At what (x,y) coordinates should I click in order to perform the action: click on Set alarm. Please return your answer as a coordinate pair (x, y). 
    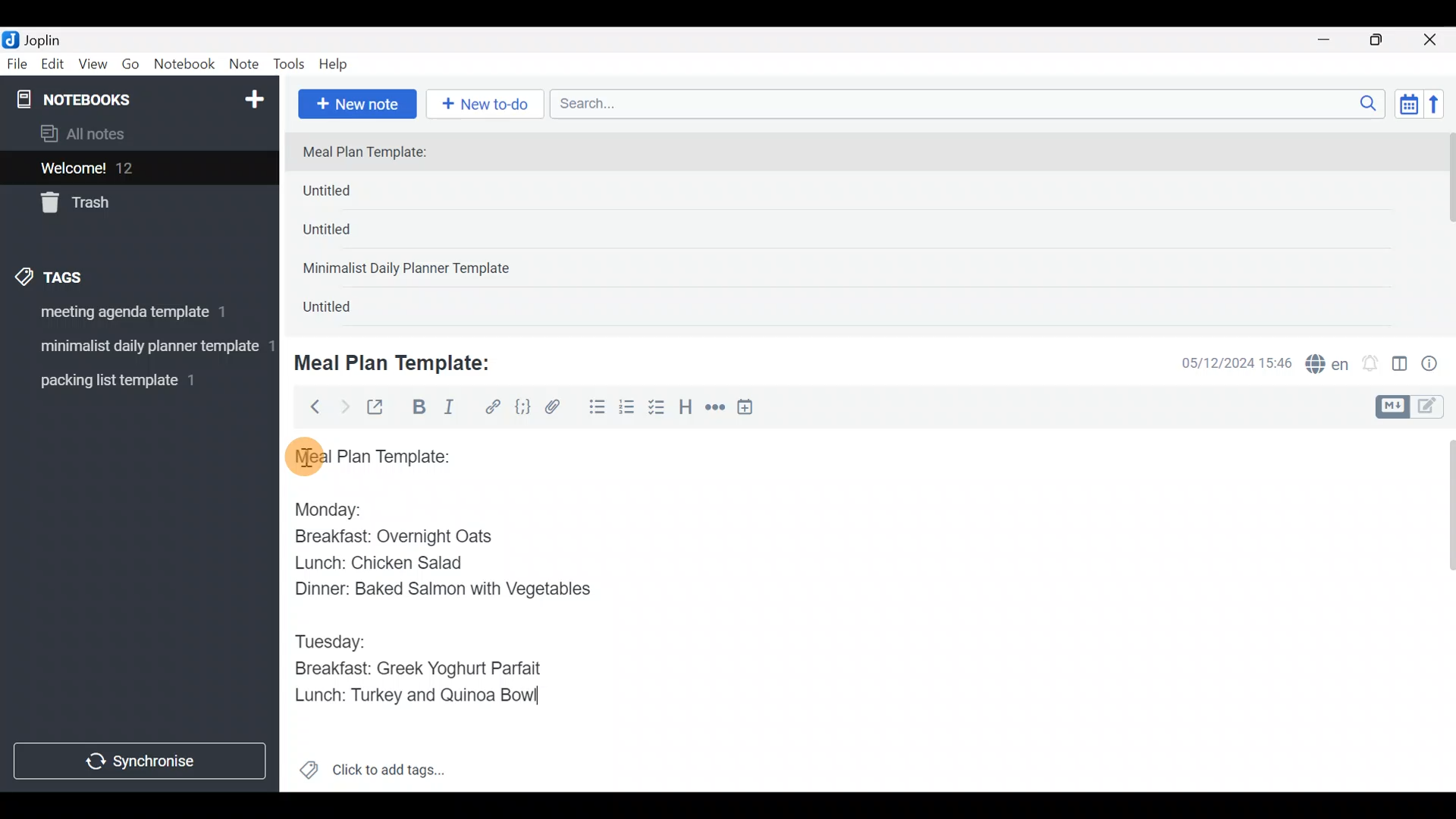
    Looking at the image, I should click on (1371, 365).